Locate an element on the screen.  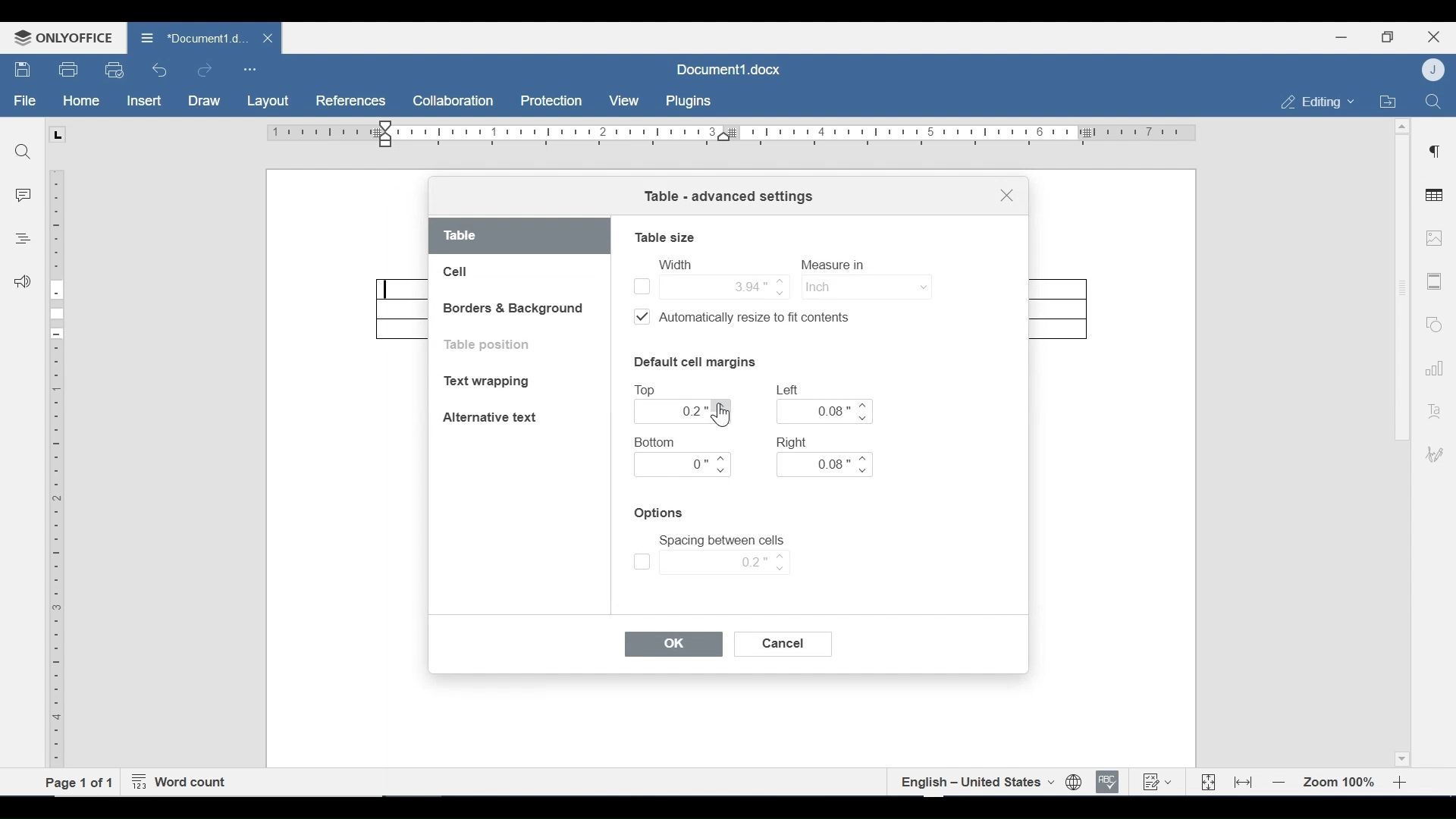
Protection is located at coordinates (551, 102).